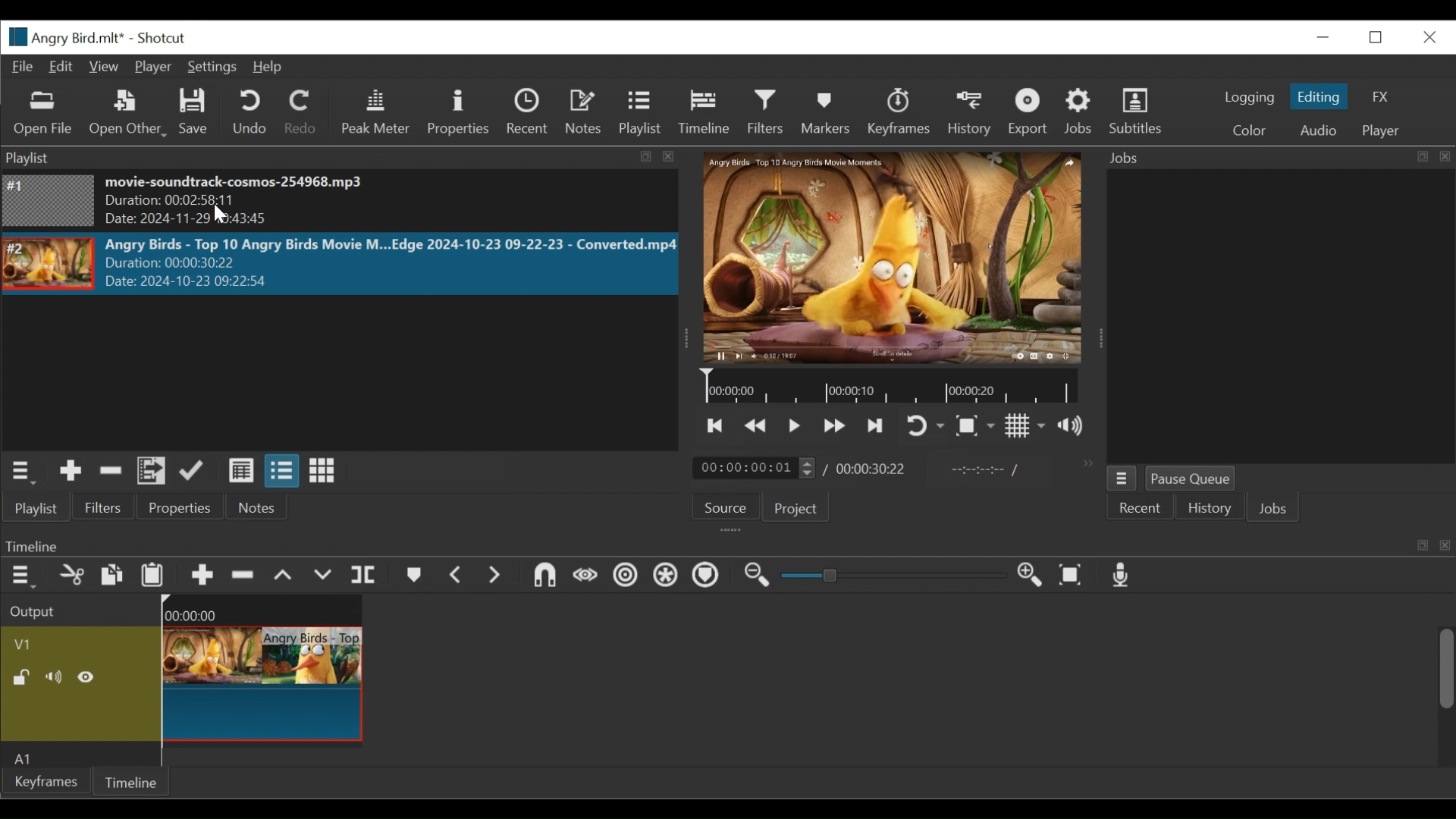 This screenshot has height=819, width=1456. Describe the element at coordinates (363, 576) in the screenshot. I see `Split Playhead` at that location.